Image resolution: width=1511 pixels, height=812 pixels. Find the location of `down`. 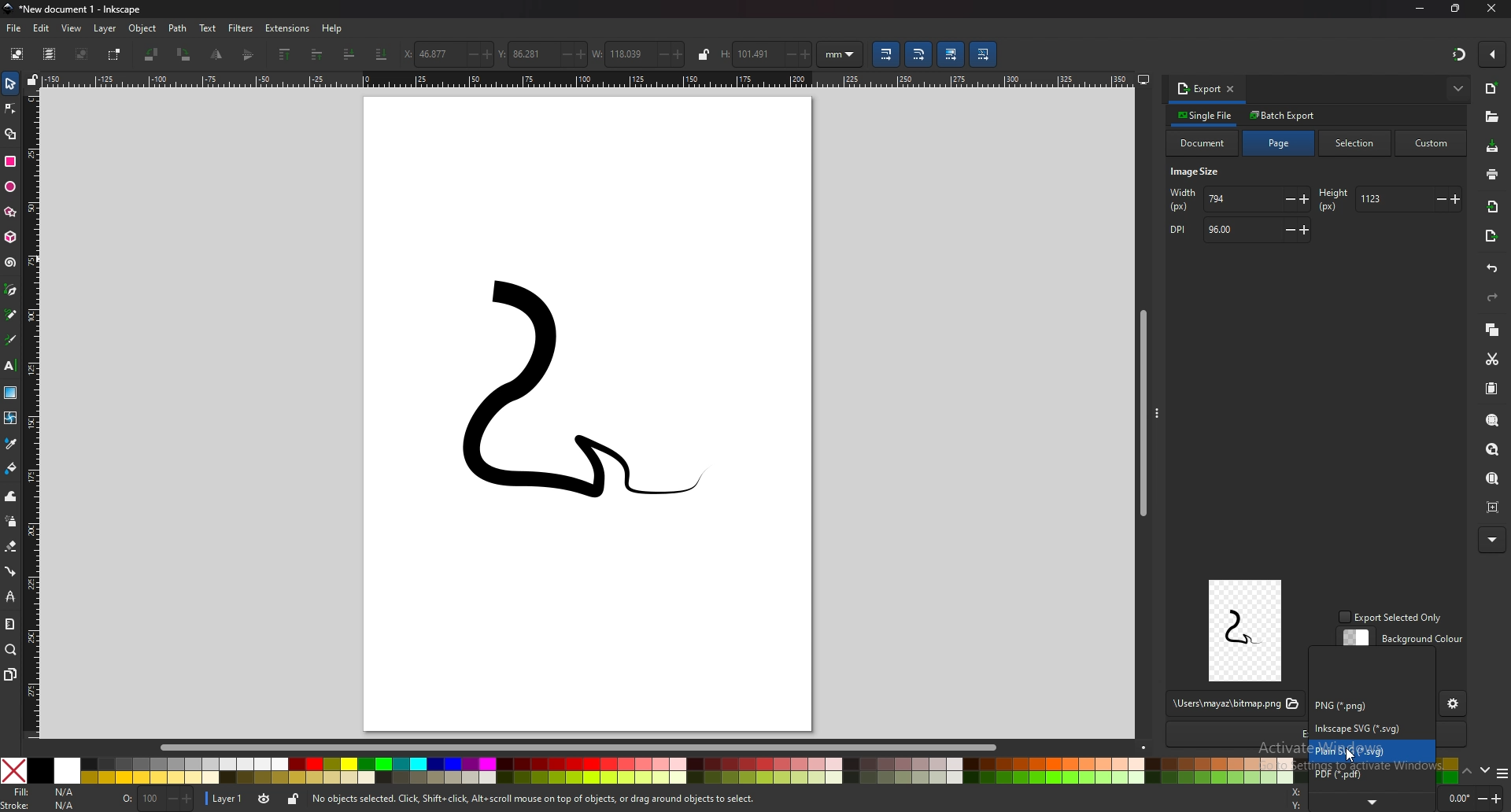

down is located at coordinates (1484, 770).